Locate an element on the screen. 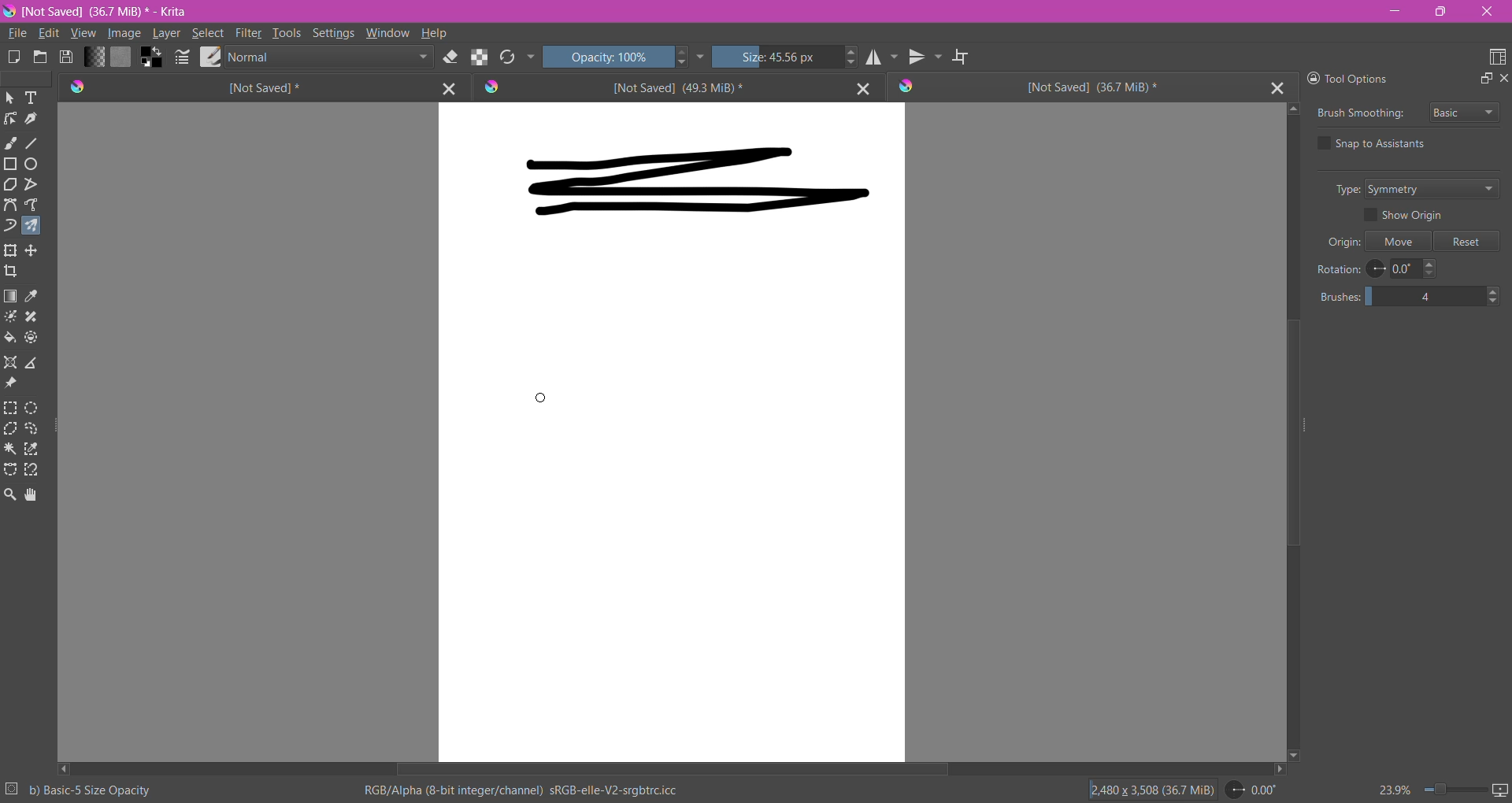 The image size is (1512, 803). Restore Down is located at coordinates (1443, 12).